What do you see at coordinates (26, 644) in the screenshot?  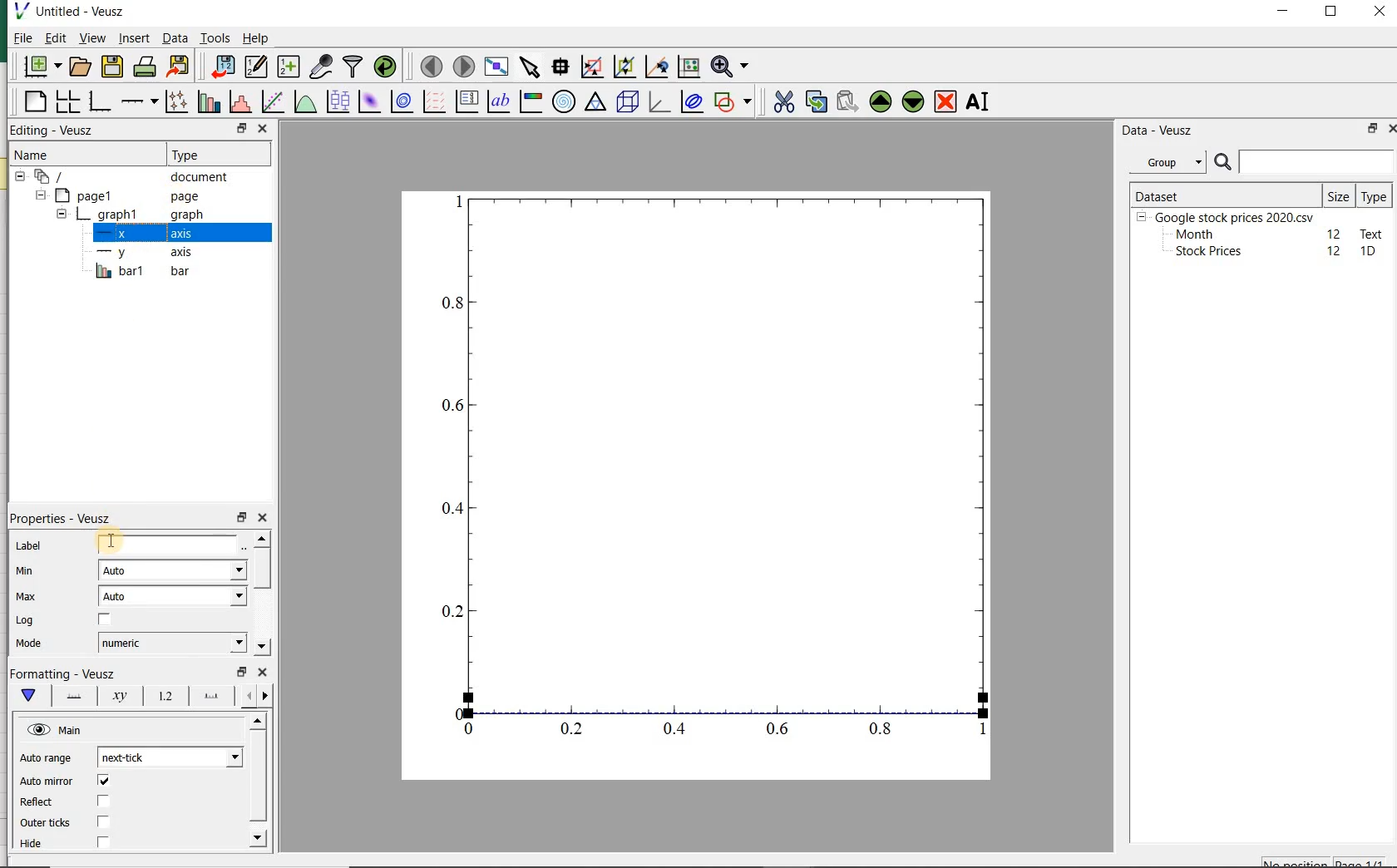 I see `Mode` at bounding box center [26, 644].